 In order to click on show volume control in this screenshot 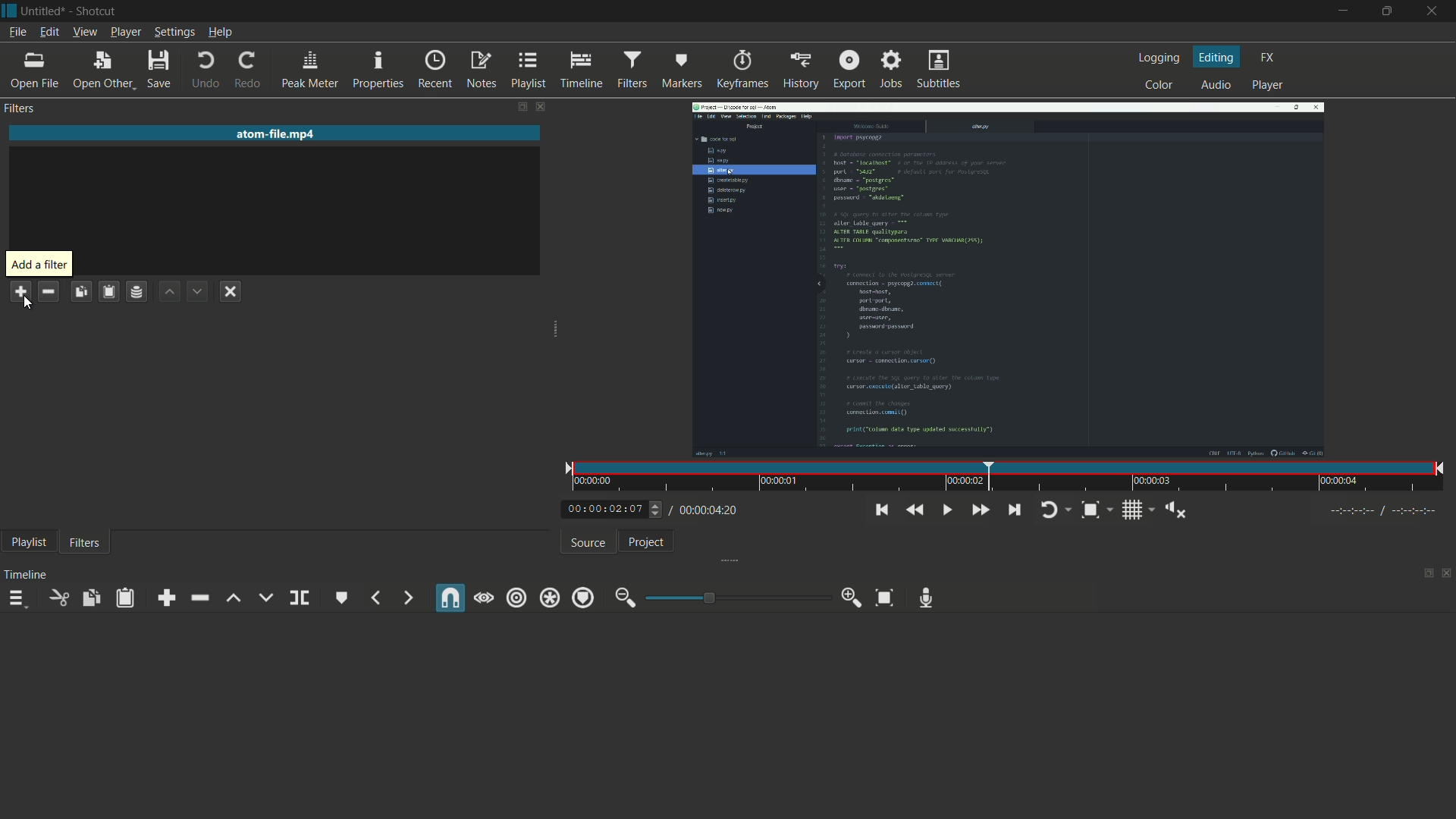, I will do `click(1175, 510)`.